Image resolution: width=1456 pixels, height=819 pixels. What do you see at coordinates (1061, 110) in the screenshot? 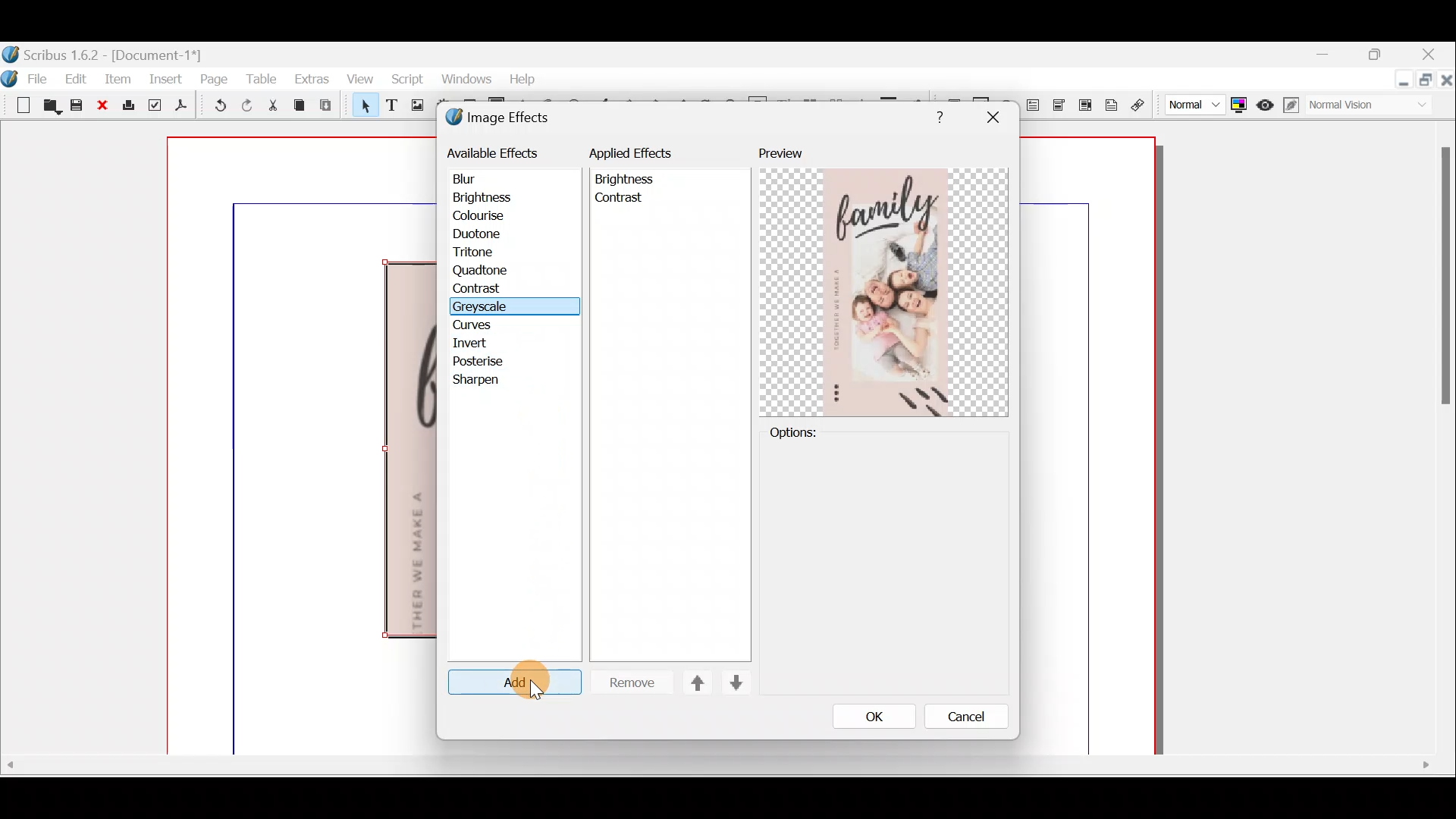
I see `PDF combo box` at bounding box center [1061, 110].